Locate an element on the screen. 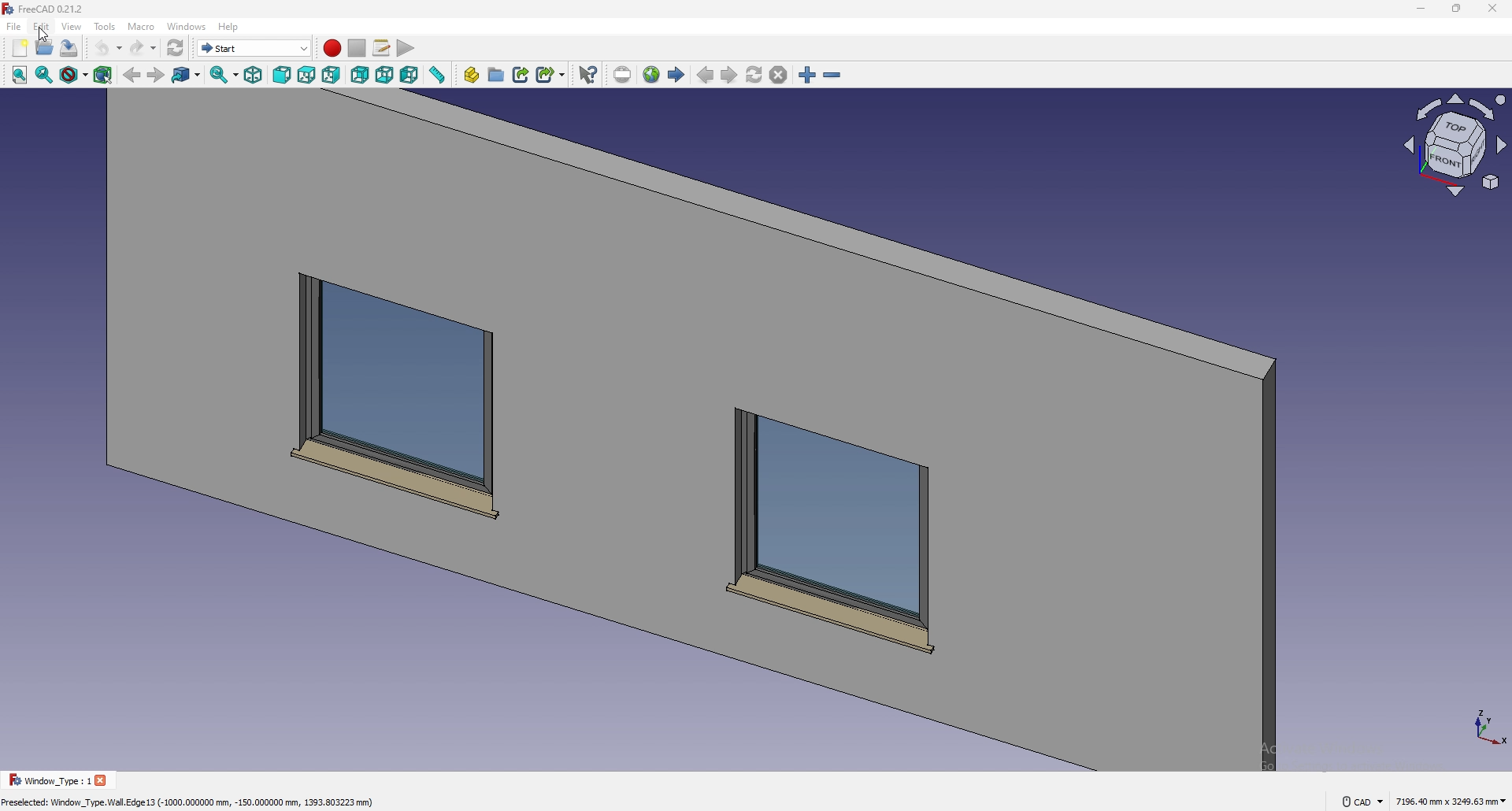 This screenshot has width=1512, height=811. windows is located at coordinates (187, 26).